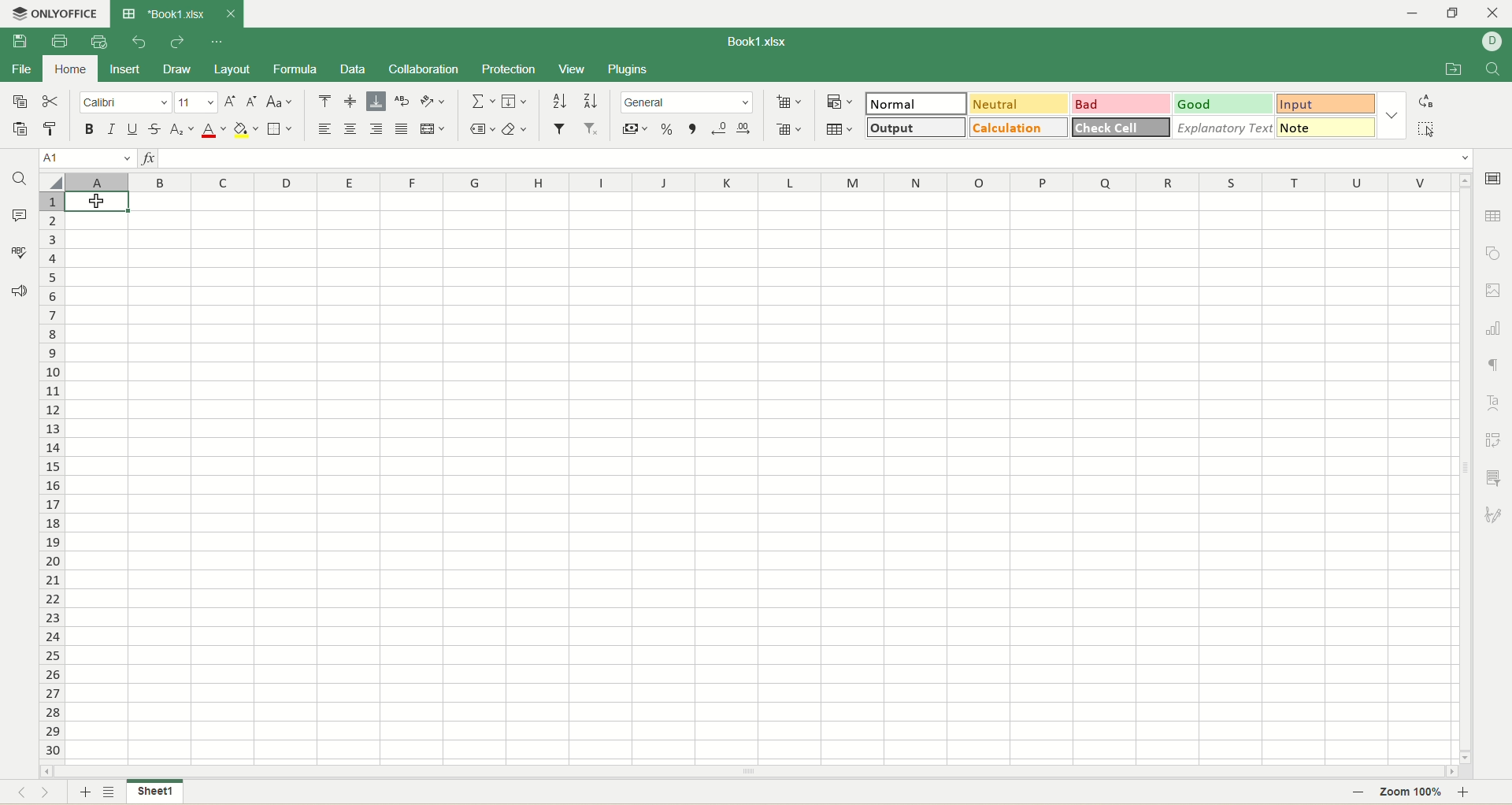 Image resolution: width=1512 pixels, height=805 pixels. Describe the element at coordinates (21, 128) in the screenshot. I see `paste` at that location.